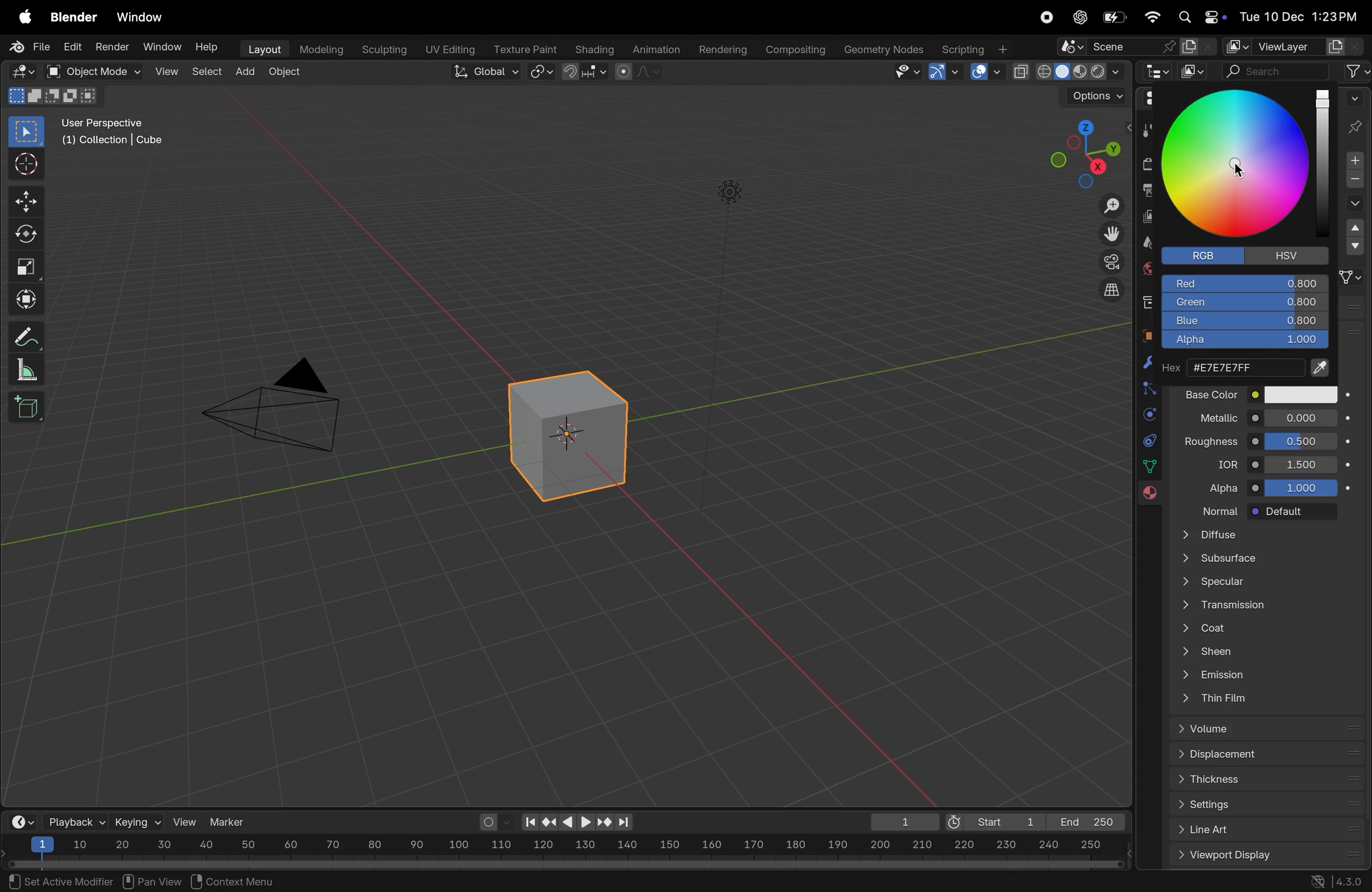 The image size is (1372, 892). I want to click on view, so click(186, 822).